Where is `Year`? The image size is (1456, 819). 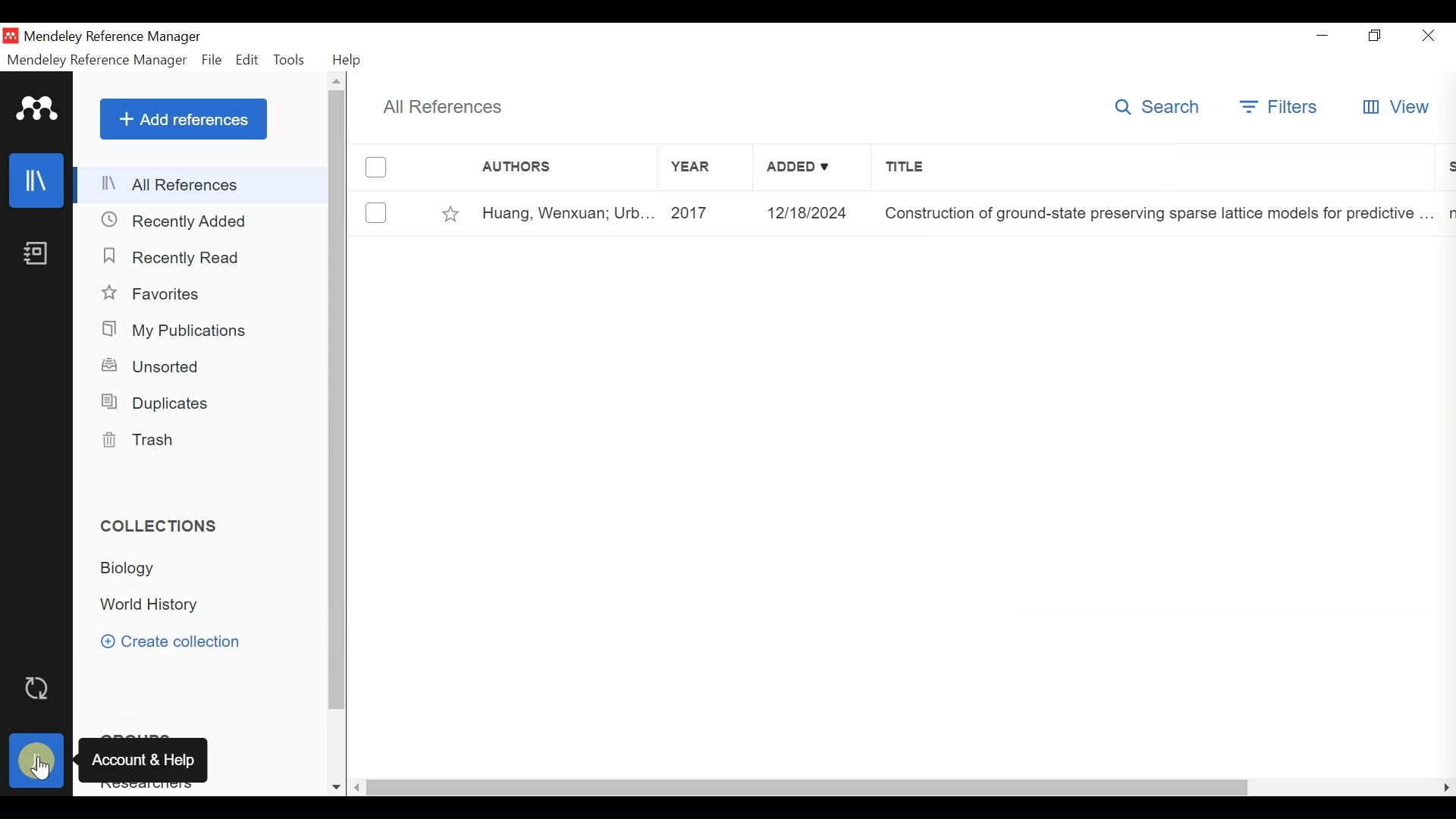
Year is located at coordinates (707, 172).